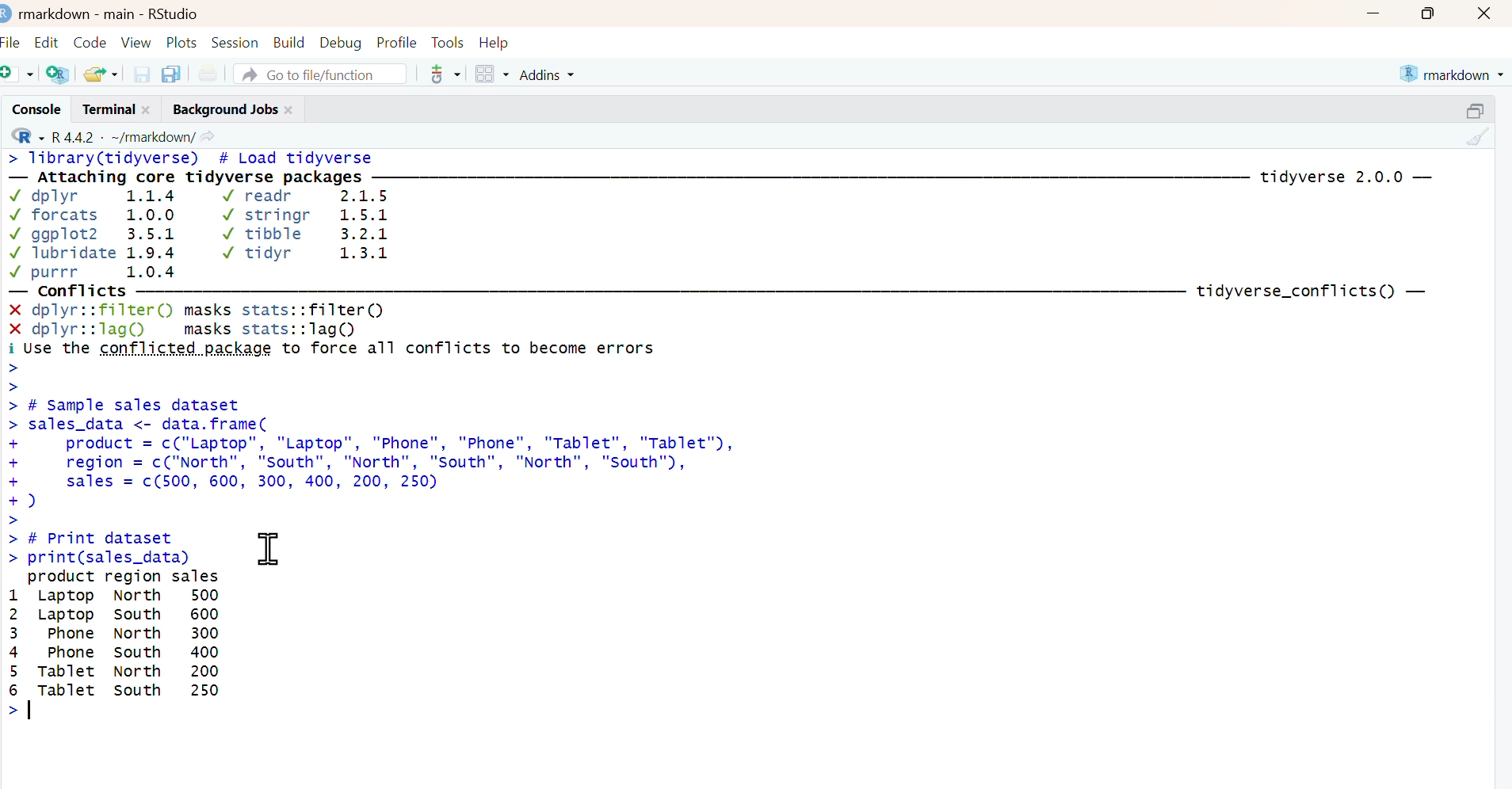  Describe the element at coordinates (143, 73) in the screenshot. I see `save` at that location.